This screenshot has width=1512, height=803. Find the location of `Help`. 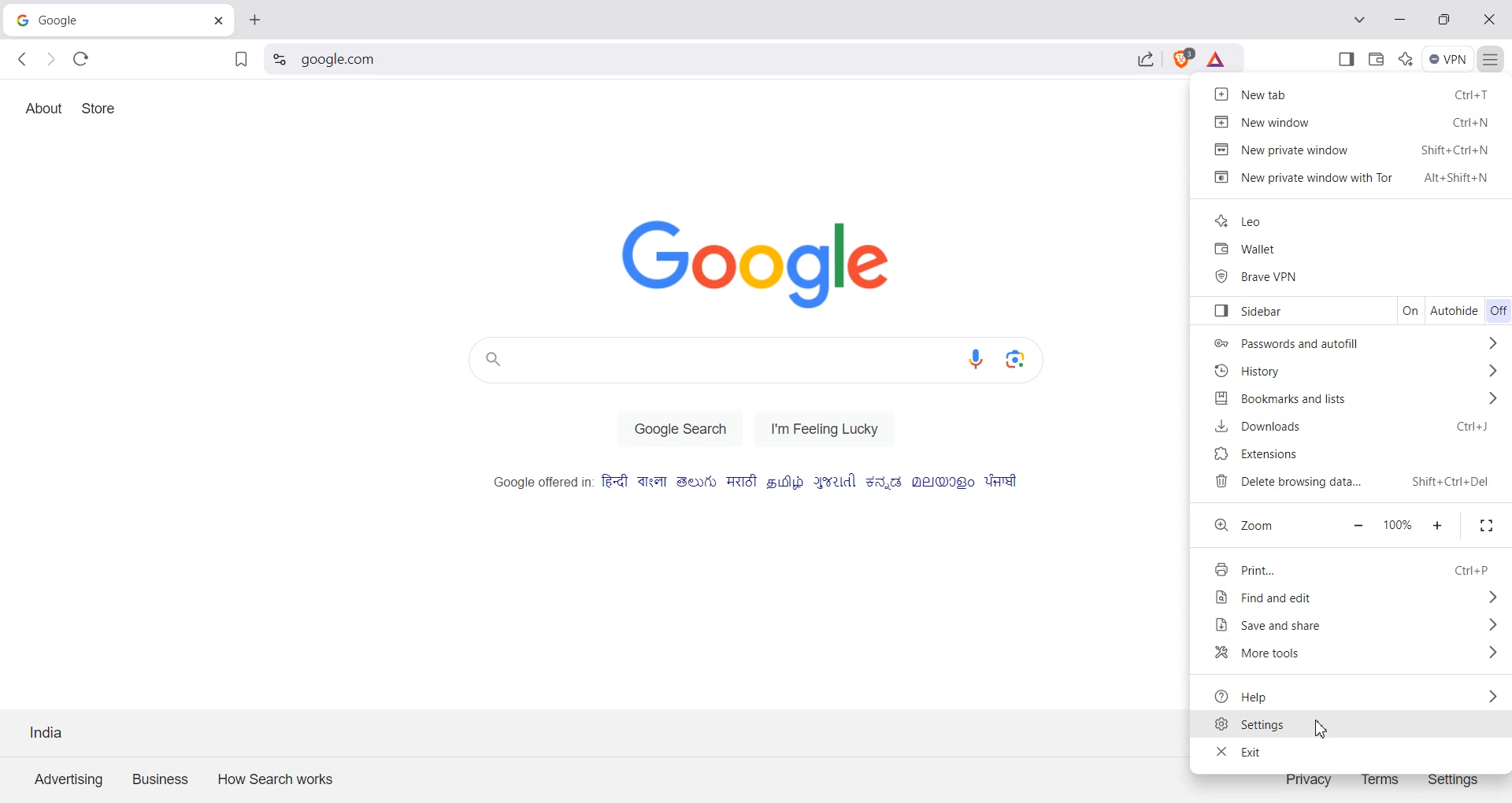

Help is located at coordinates (1354, 695).